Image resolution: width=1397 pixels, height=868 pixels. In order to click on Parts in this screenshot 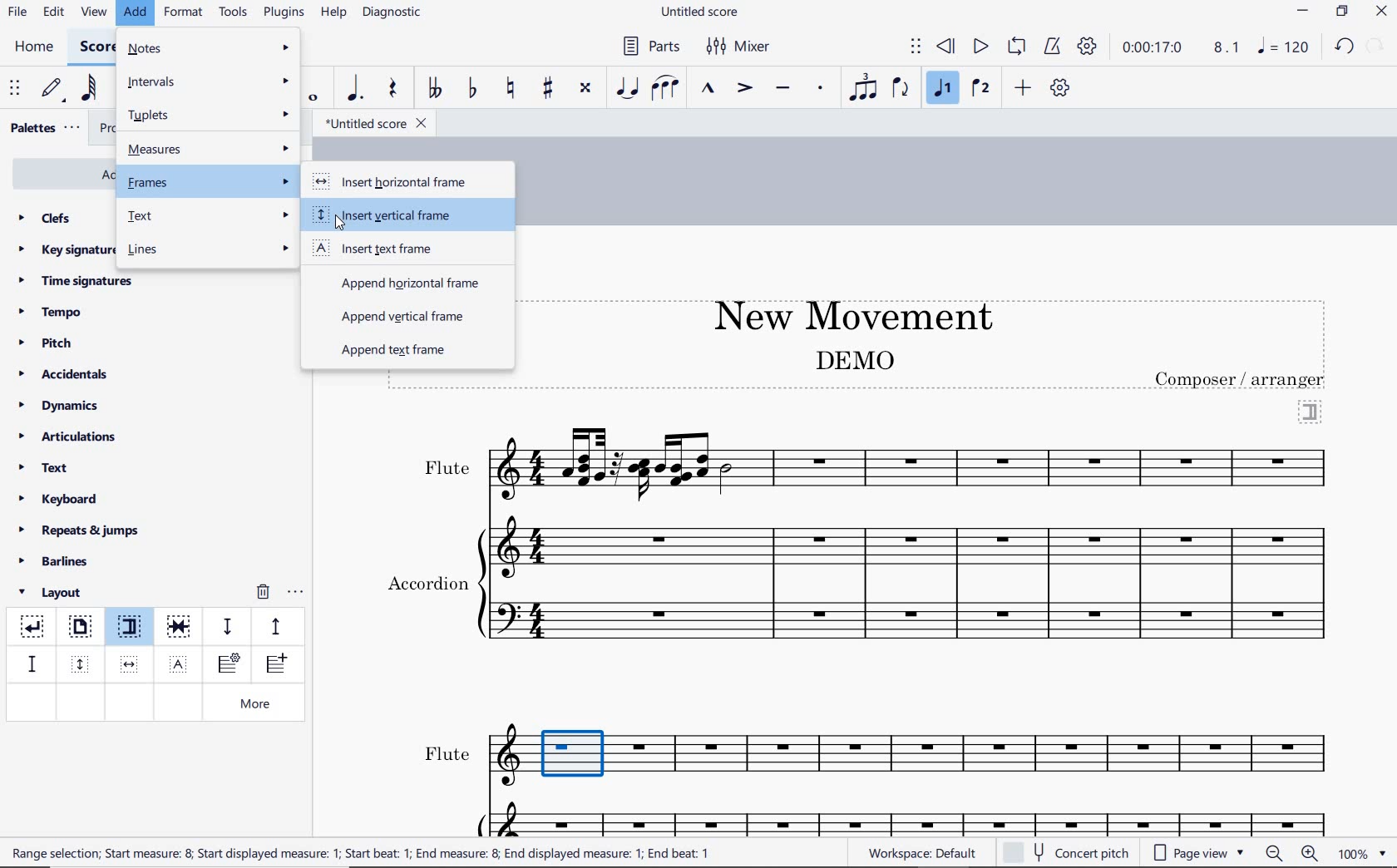, I will do `click(648, 47)`.